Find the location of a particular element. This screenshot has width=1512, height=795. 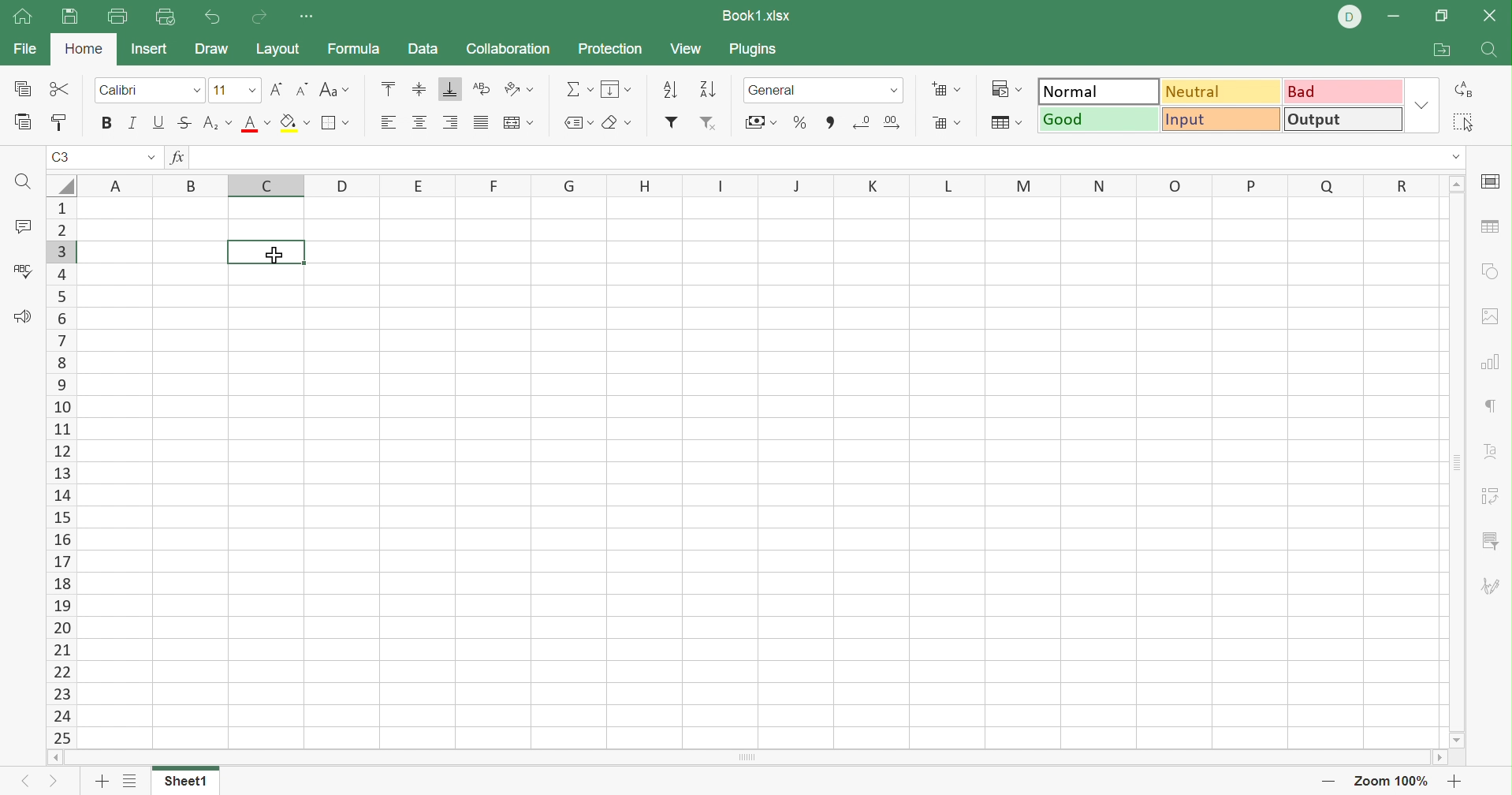

Home is located at coordinates (83, 51).